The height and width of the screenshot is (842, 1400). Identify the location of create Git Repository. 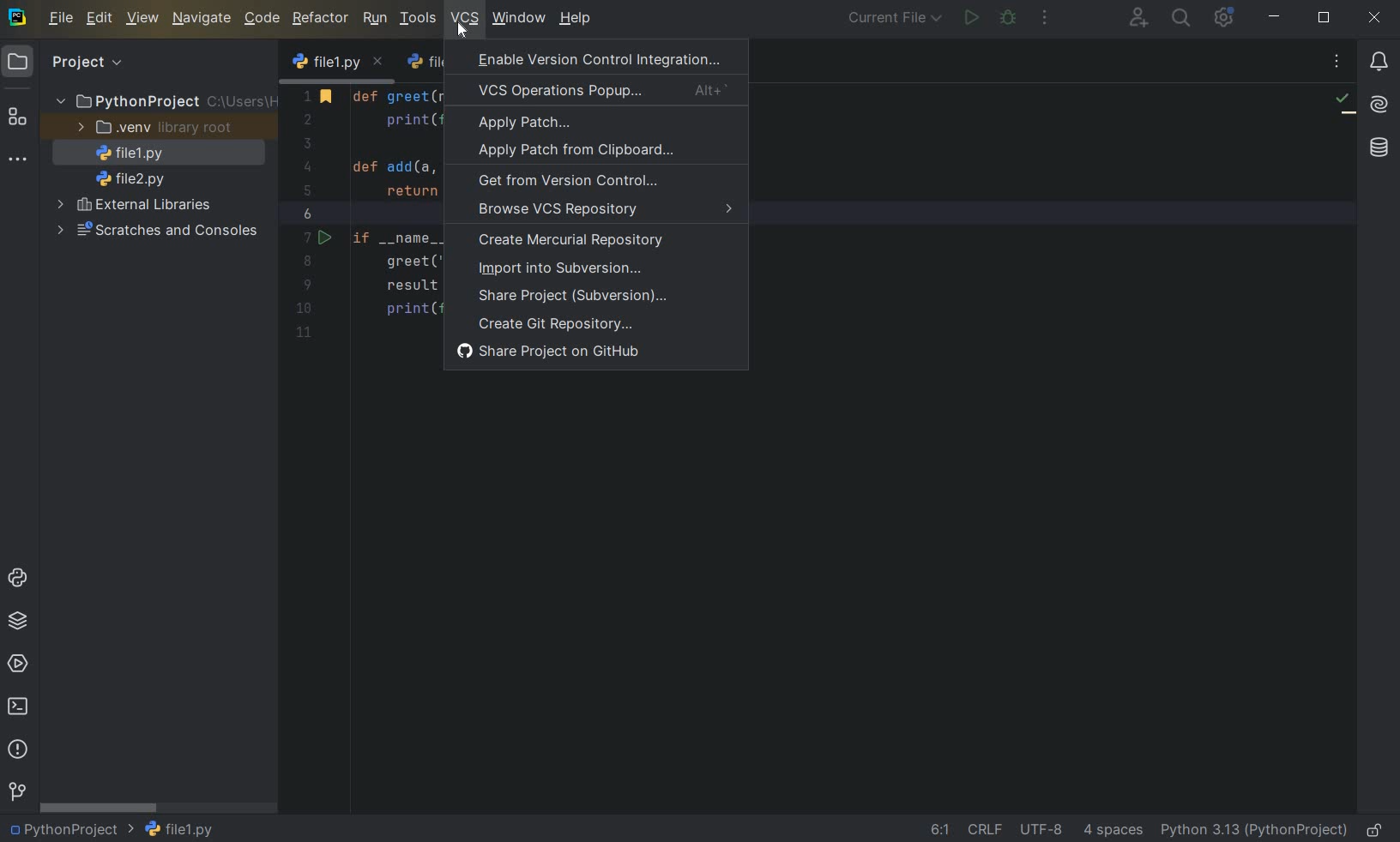
(553, 324).